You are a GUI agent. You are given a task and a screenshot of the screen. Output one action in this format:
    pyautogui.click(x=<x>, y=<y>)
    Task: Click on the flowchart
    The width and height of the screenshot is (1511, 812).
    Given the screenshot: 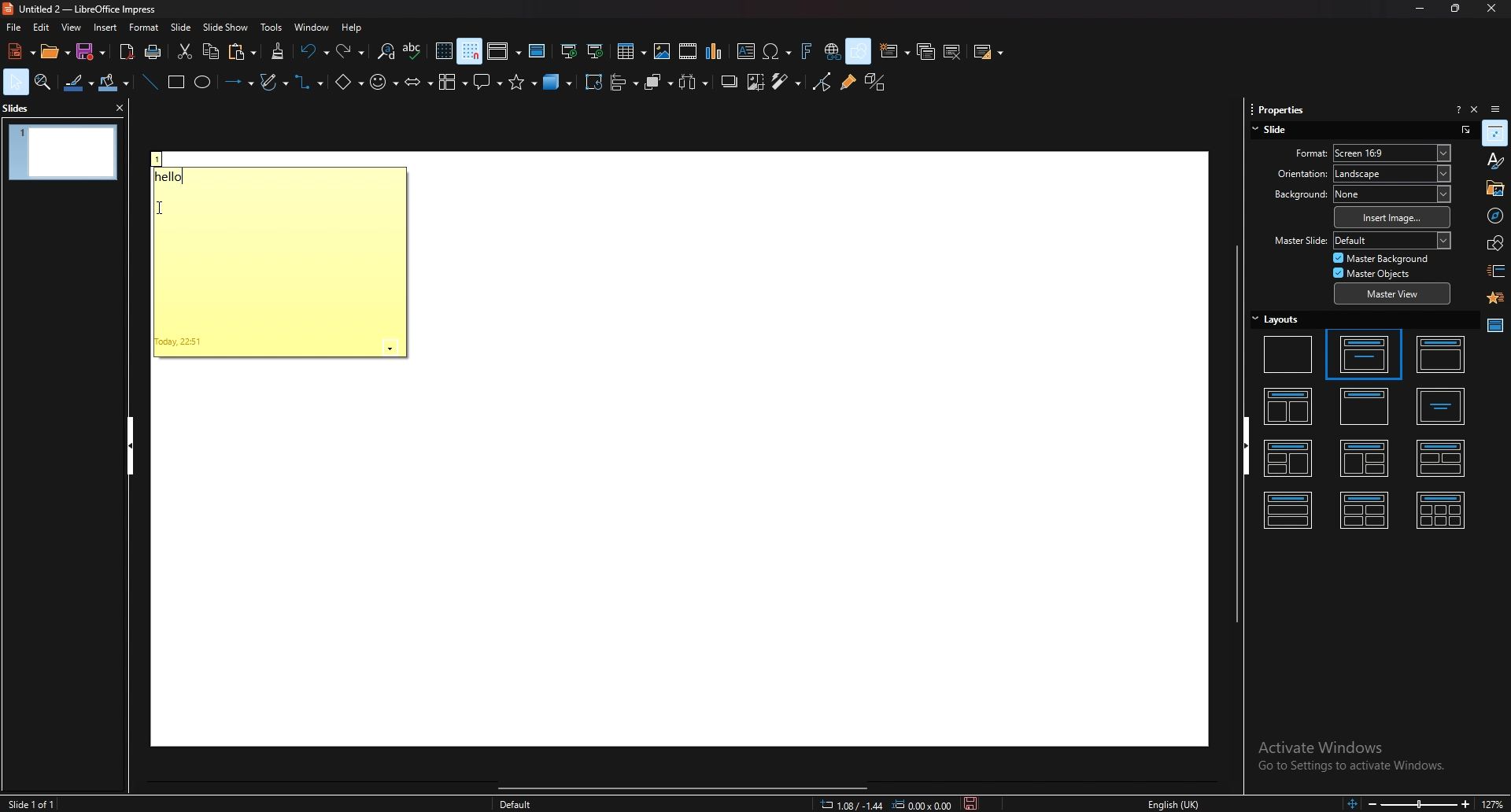 What is the action you would take?
    pyautogui.click(x=453, y=83)
    